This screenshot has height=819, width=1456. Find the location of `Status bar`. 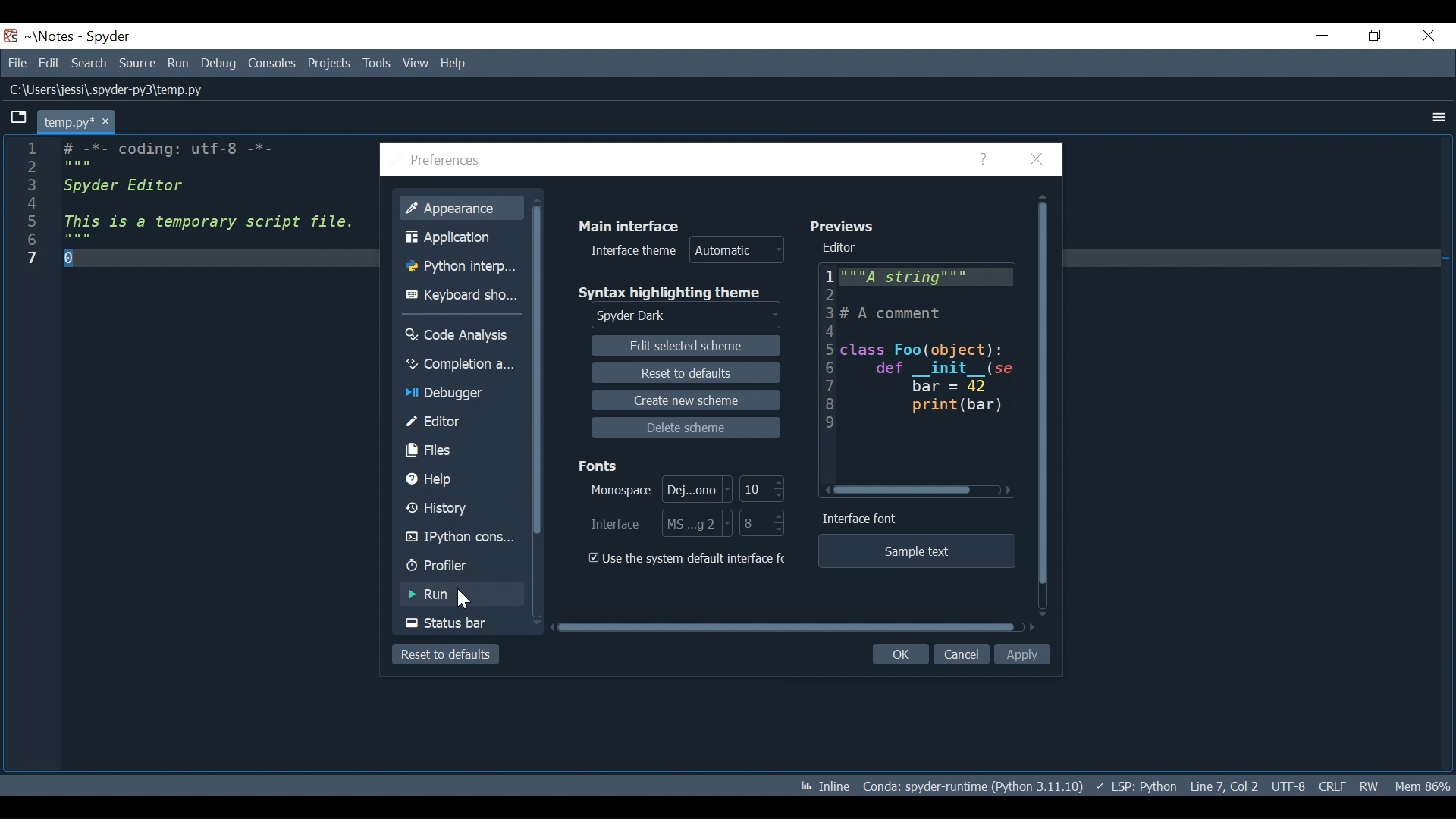

Status bar is located at coordinates (463, 623).